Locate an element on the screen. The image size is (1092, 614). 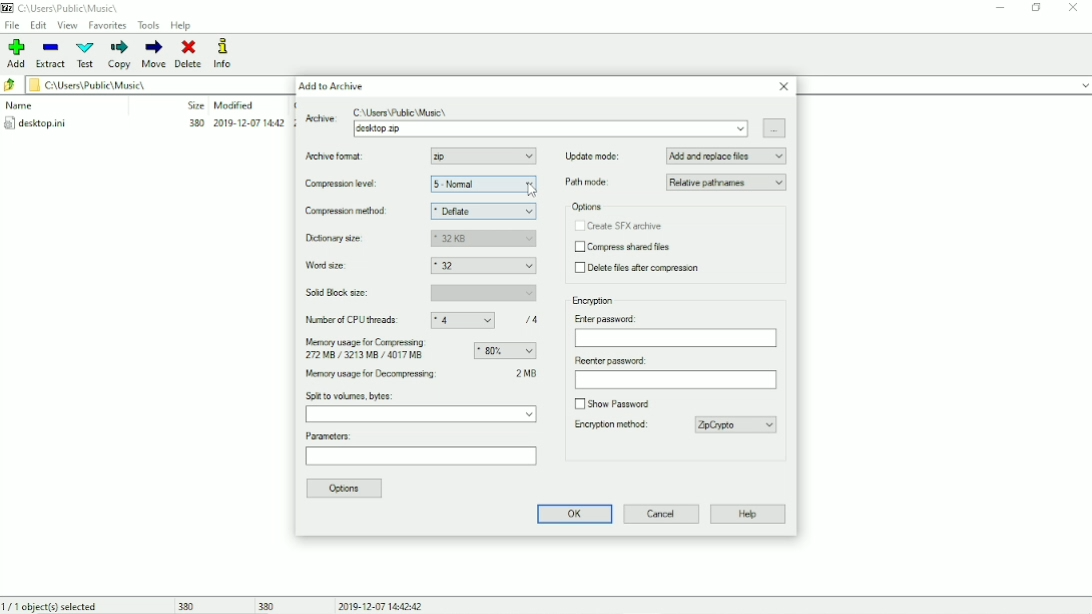
Delete is located at coordinates (189, 54).